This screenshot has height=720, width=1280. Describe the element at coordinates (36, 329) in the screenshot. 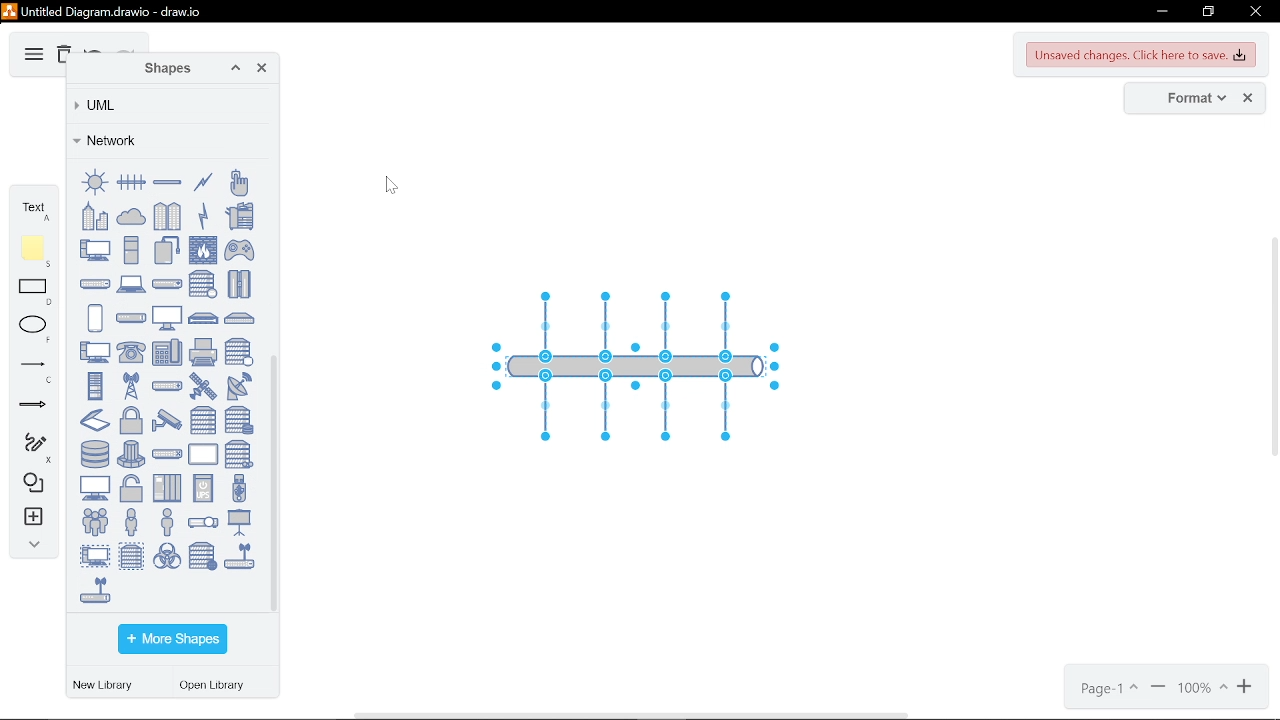

I see `ellipse` at that location.